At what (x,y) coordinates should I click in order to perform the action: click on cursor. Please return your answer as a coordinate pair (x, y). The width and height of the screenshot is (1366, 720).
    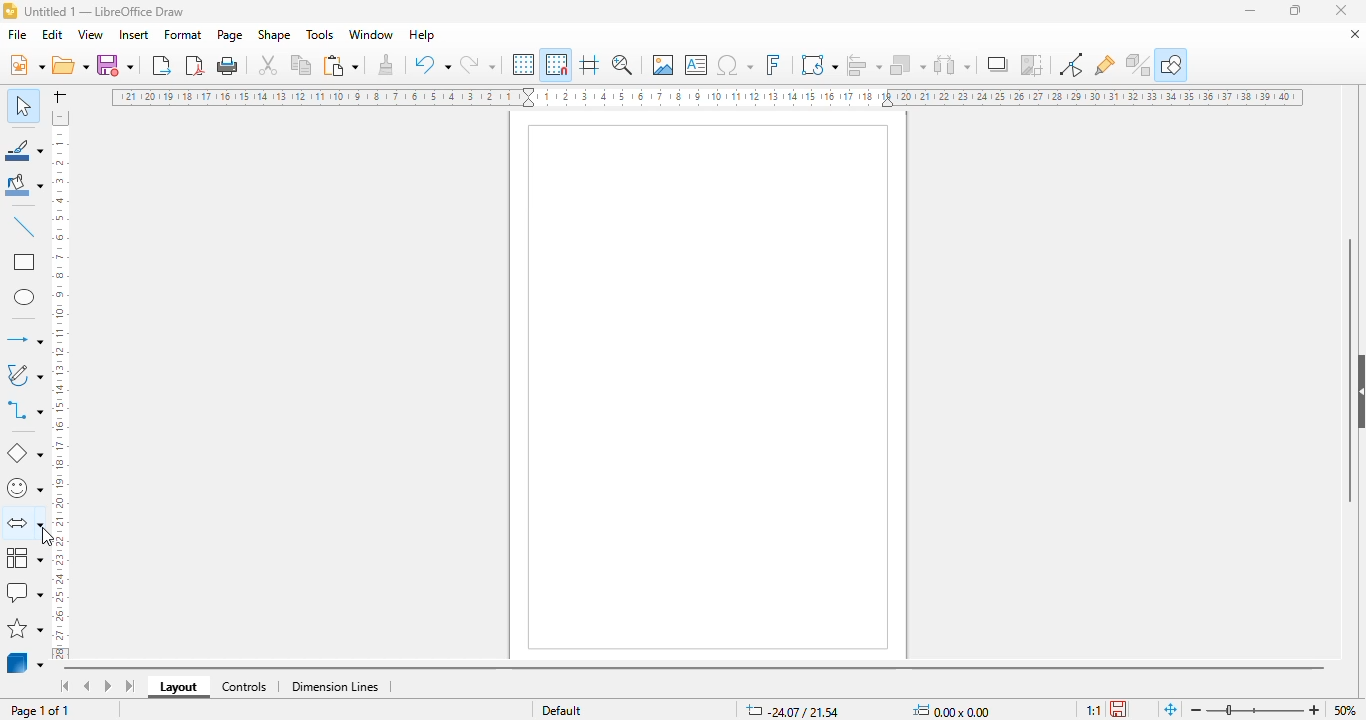
    Looking at the image, I should click on (47, 537).